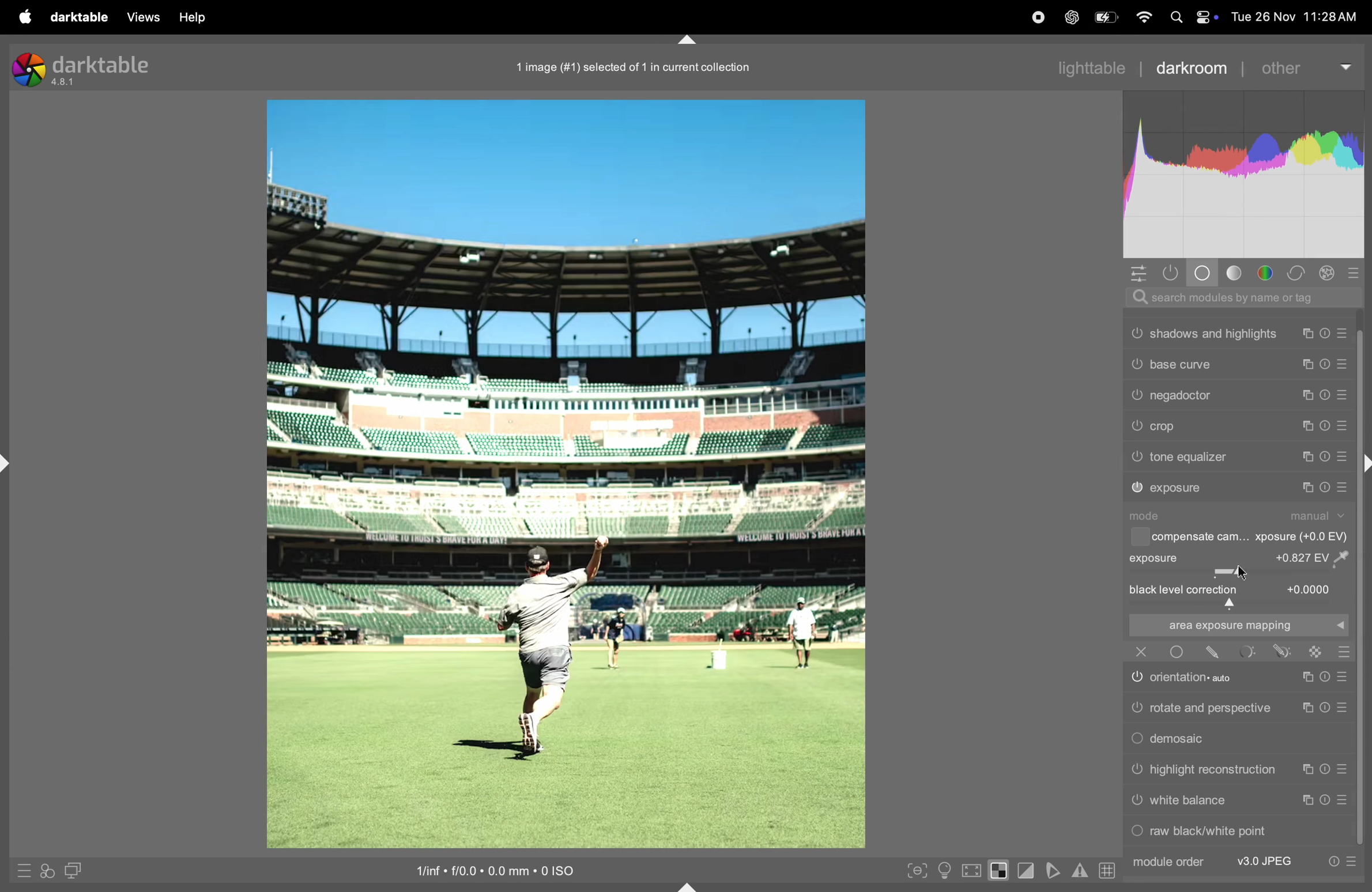 The height and width of the screenshot is (892, 1372). Describe the element at coordinates (1136, 709) in the screenshot. I see `Switch on or off` at that location.